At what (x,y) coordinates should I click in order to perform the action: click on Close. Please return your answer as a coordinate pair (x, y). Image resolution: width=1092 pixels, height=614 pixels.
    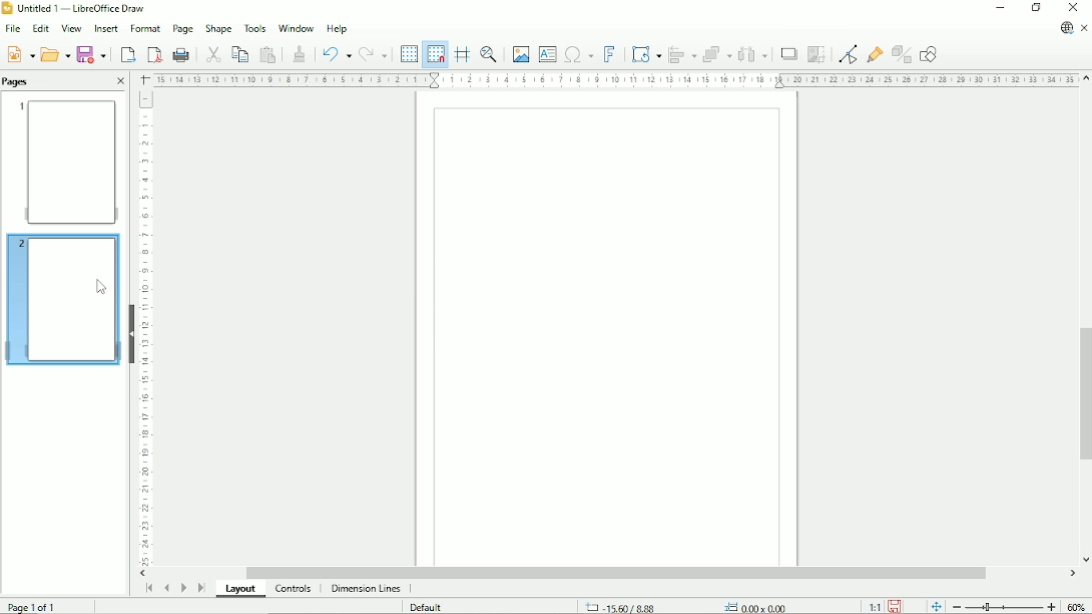
    Looking at the image, I should click on (120, 82).